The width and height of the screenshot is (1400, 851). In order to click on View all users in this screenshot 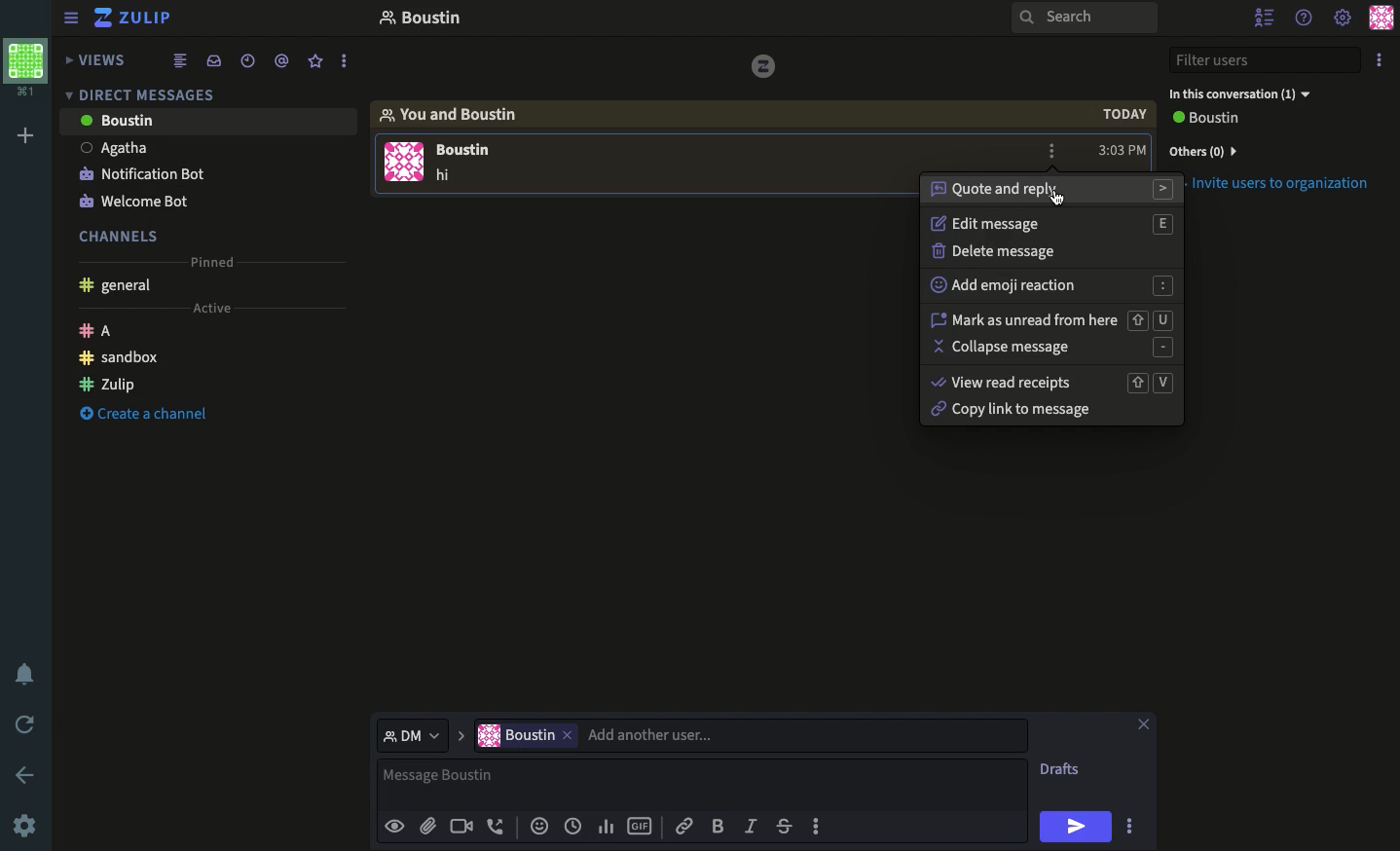, I will do `click(1217, 120)`.